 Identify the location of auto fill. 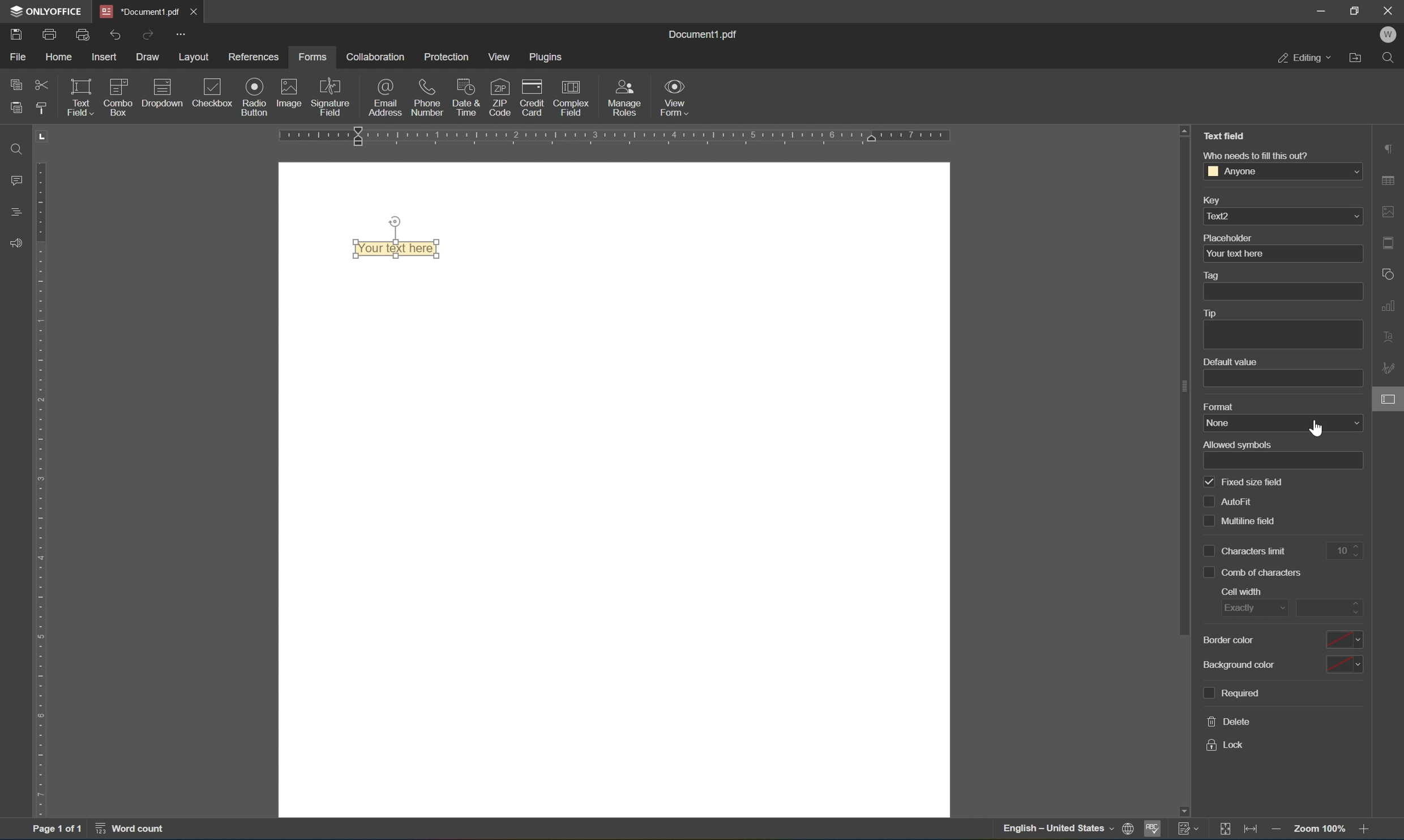
(1230, 501).